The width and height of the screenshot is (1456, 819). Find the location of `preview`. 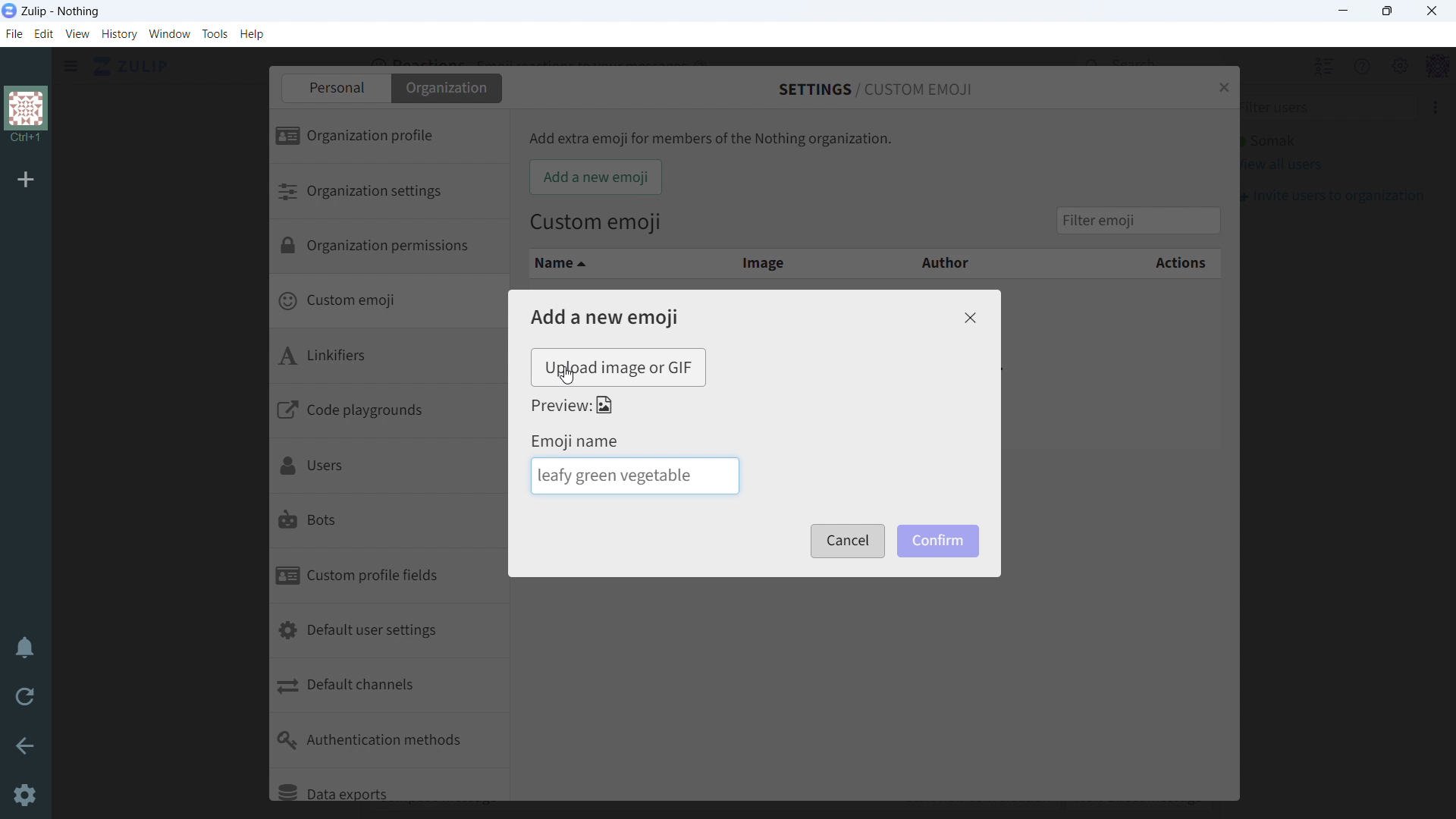

preview is located at coordinates (572, 406).